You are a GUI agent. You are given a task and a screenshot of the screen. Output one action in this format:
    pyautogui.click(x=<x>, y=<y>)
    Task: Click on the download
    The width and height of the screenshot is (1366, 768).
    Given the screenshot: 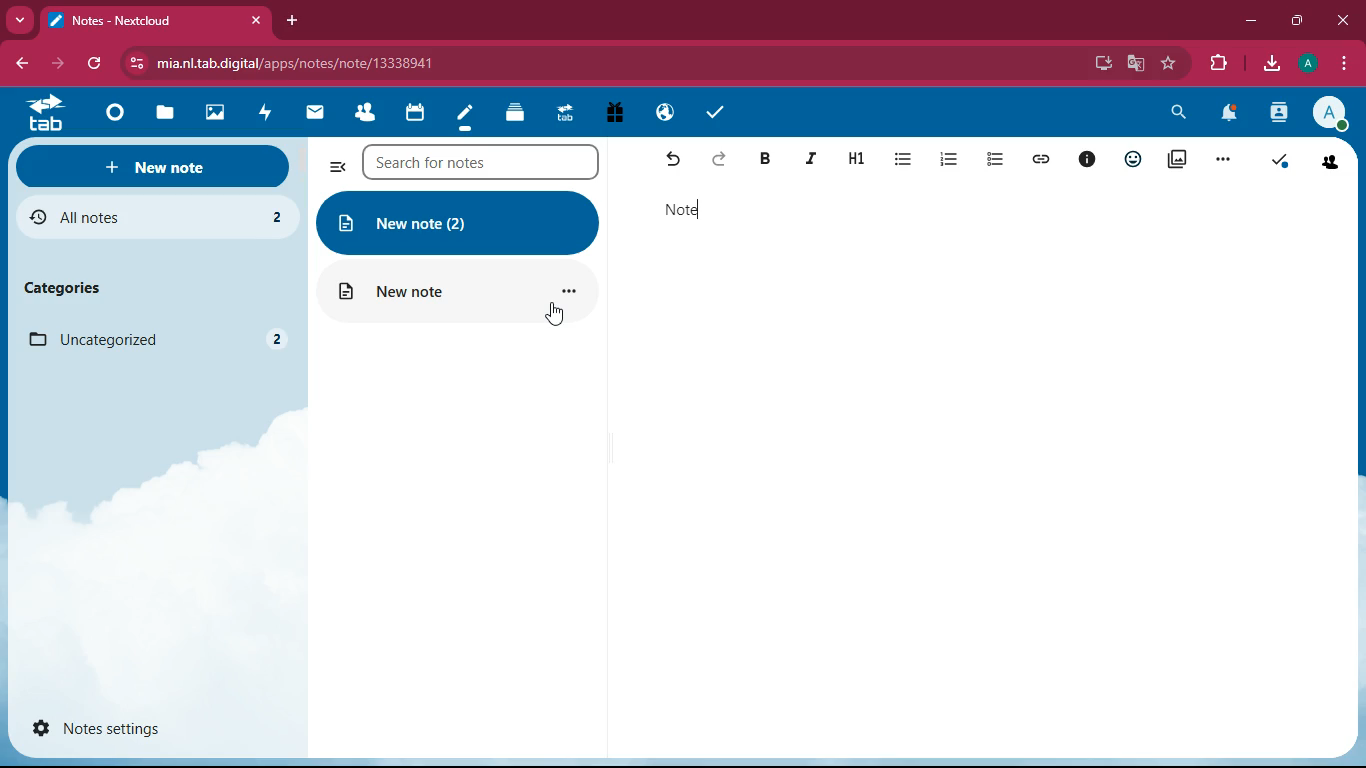 What is the action you would take?
    pyautogui.click(x=1268, y=63)
    